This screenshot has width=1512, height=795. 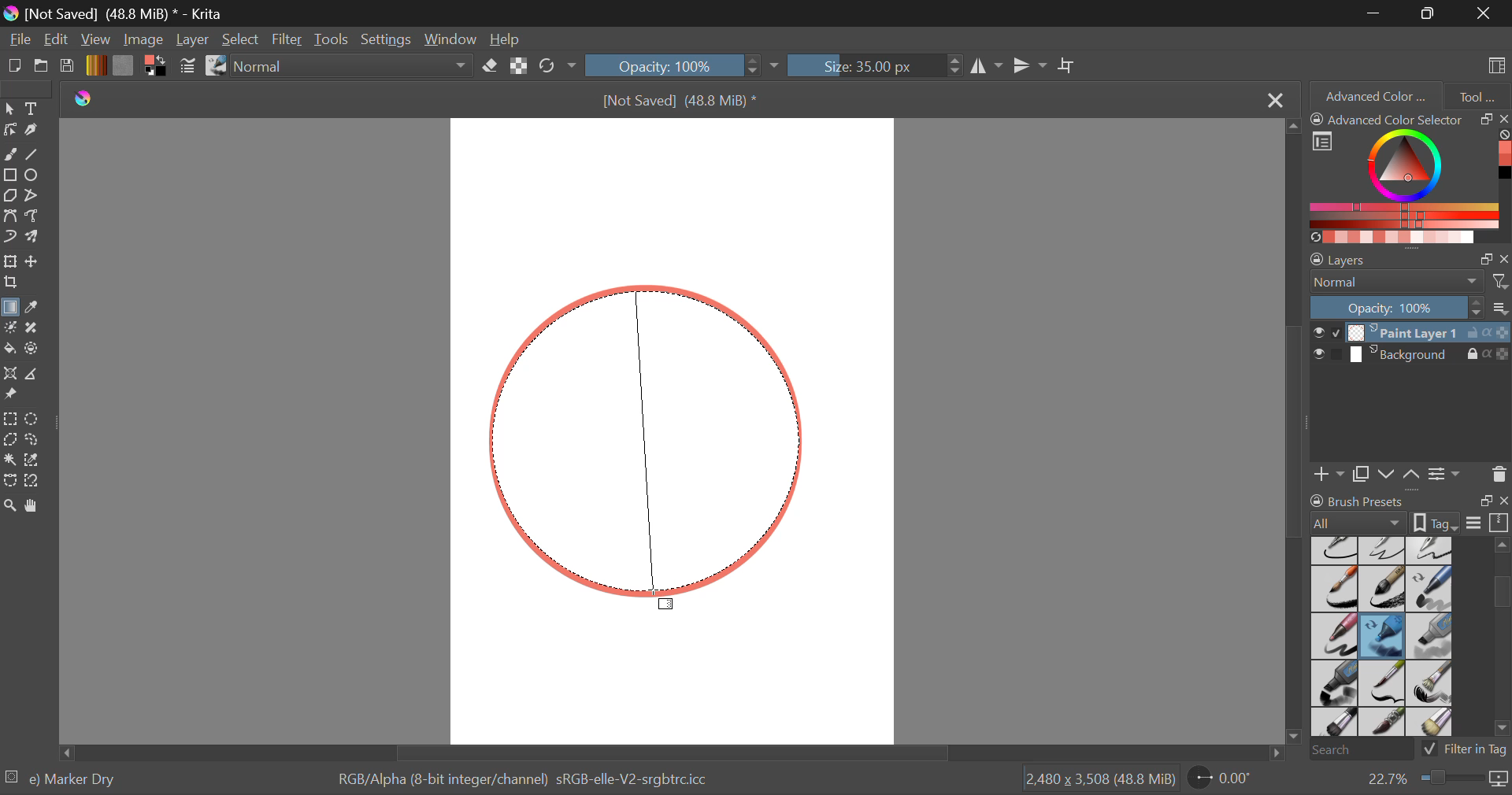 What do you see at coordinates (1410, 307) in the screenshot?
I see `Layer Opacity` at bounding box center [1410, 307].